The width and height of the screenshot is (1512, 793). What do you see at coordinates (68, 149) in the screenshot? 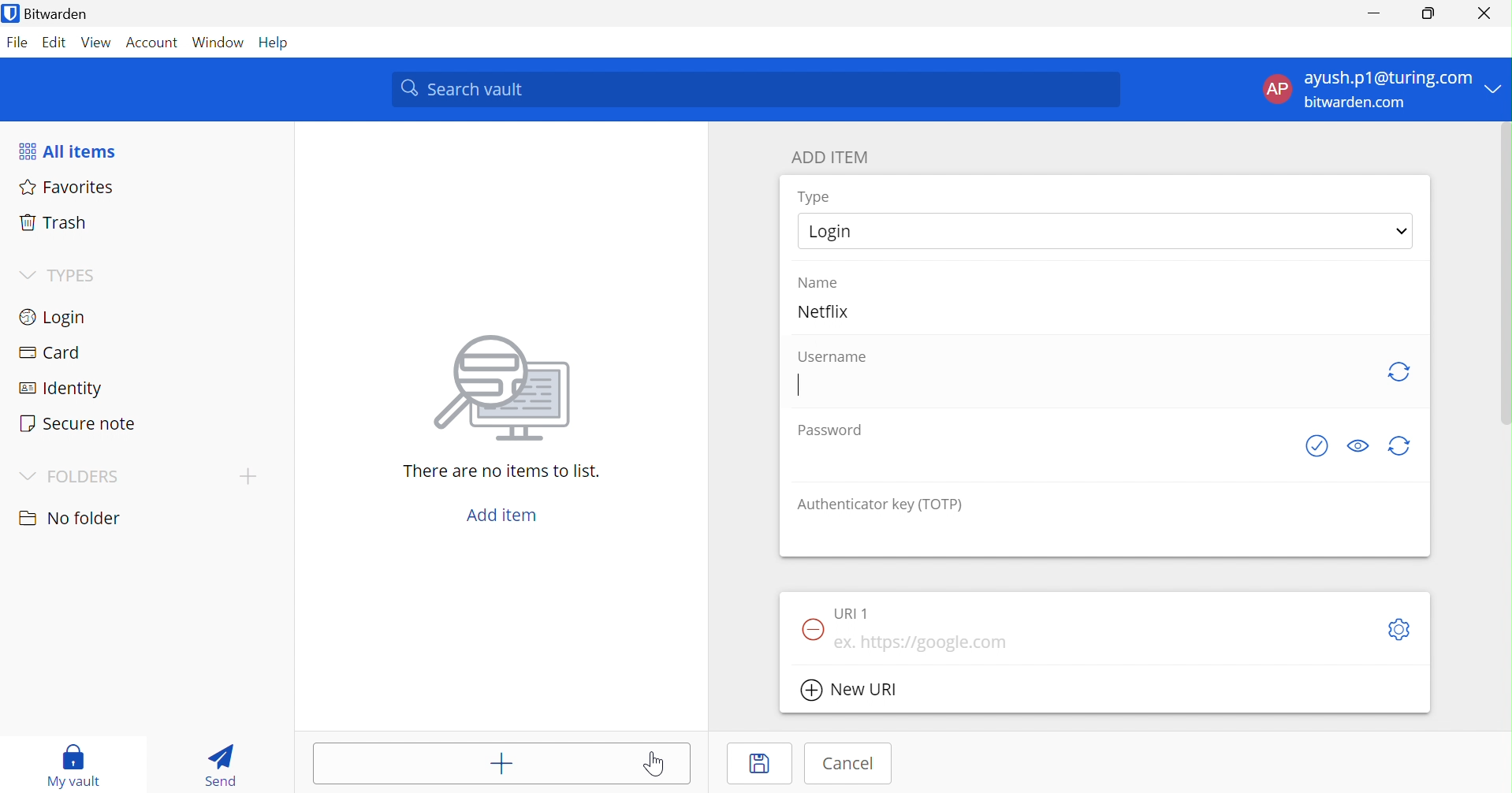
I see `All items` at bounding box center [68, 149].